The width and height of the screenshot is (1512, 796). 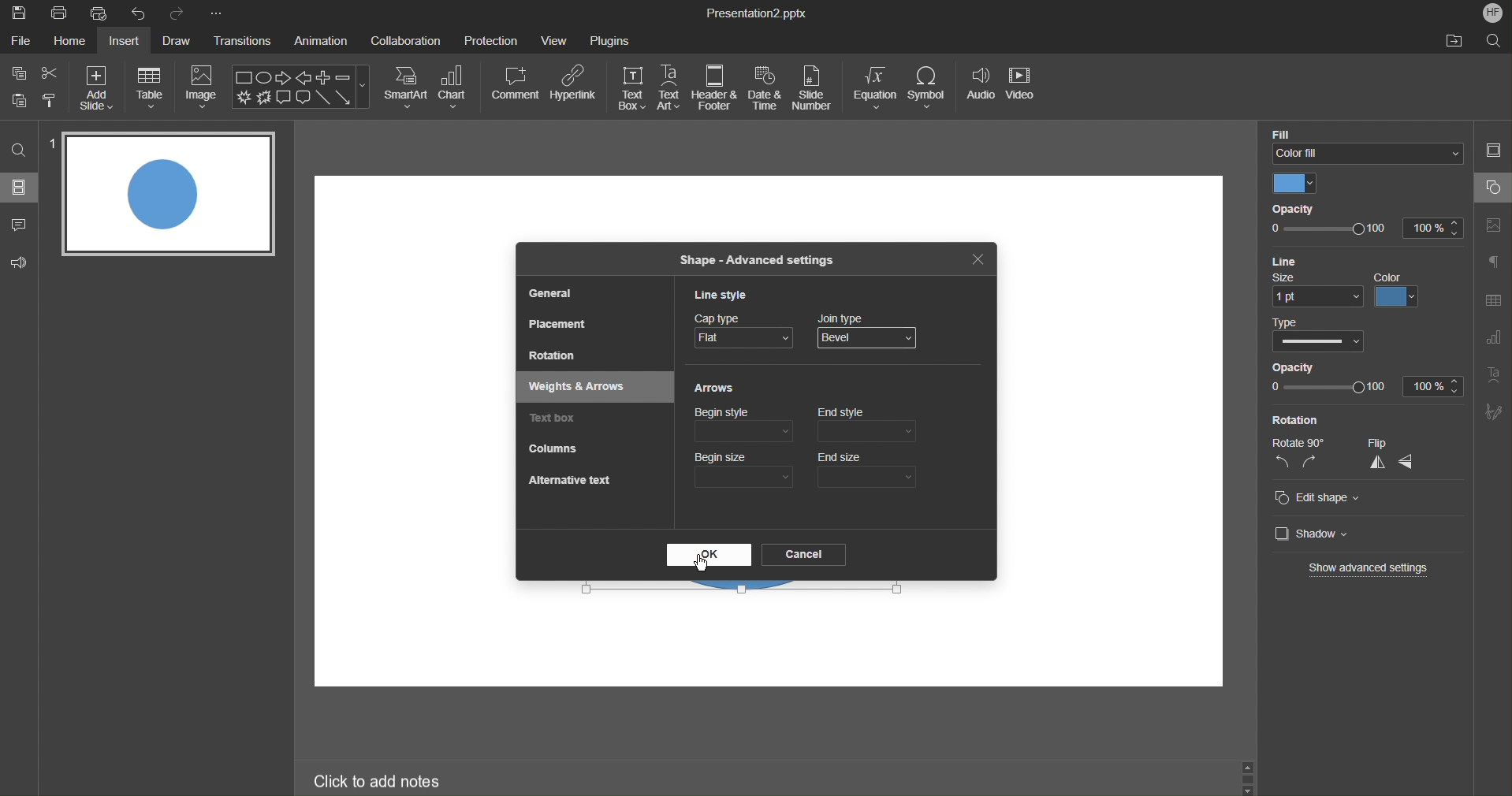 What do you see at coordinates (1390, 444) in the screenshot?
I see `Flip` at bounding box center [1390, 444].